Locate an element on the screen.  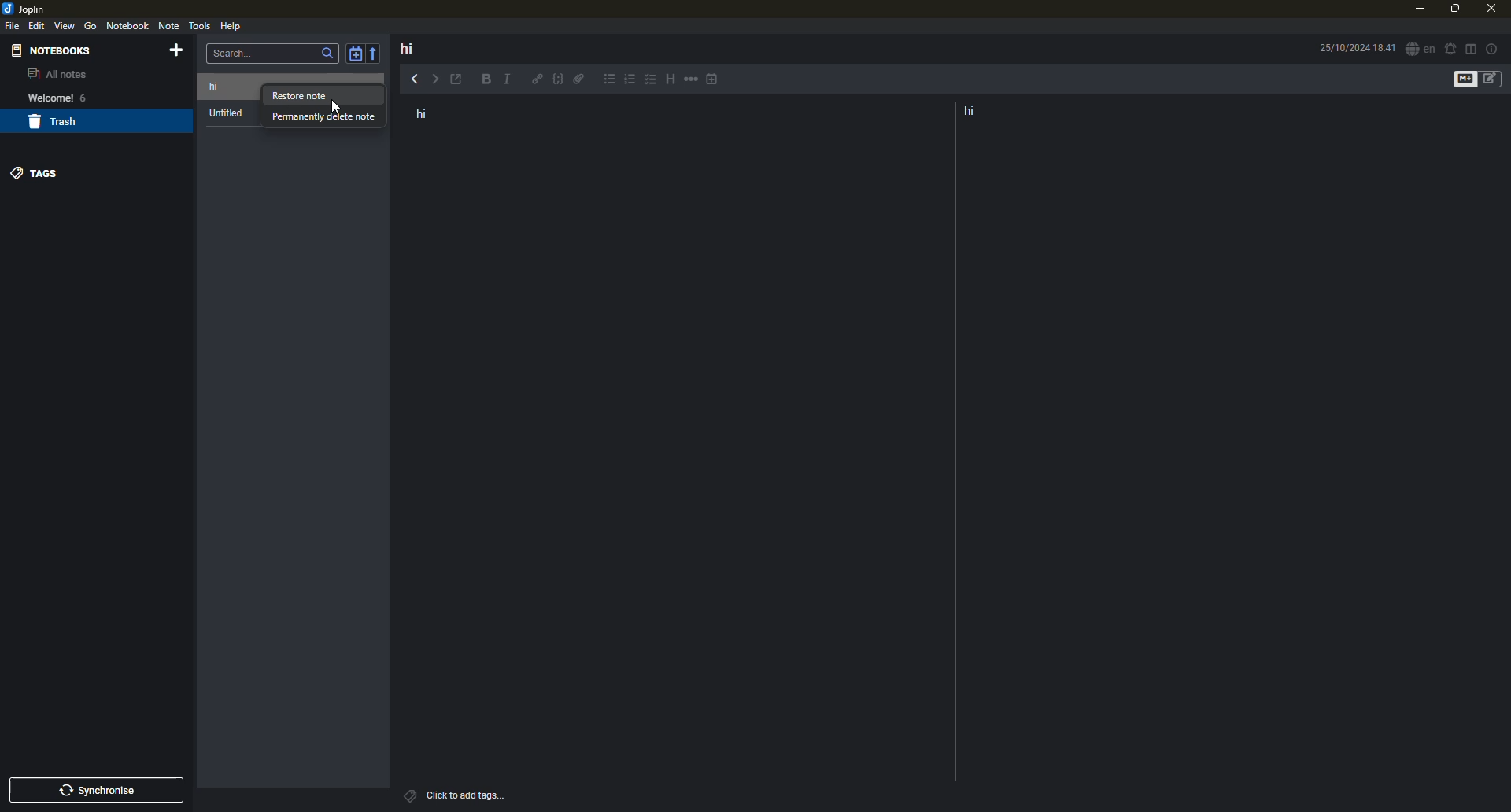
cursor is located at coordinates (337, 104).